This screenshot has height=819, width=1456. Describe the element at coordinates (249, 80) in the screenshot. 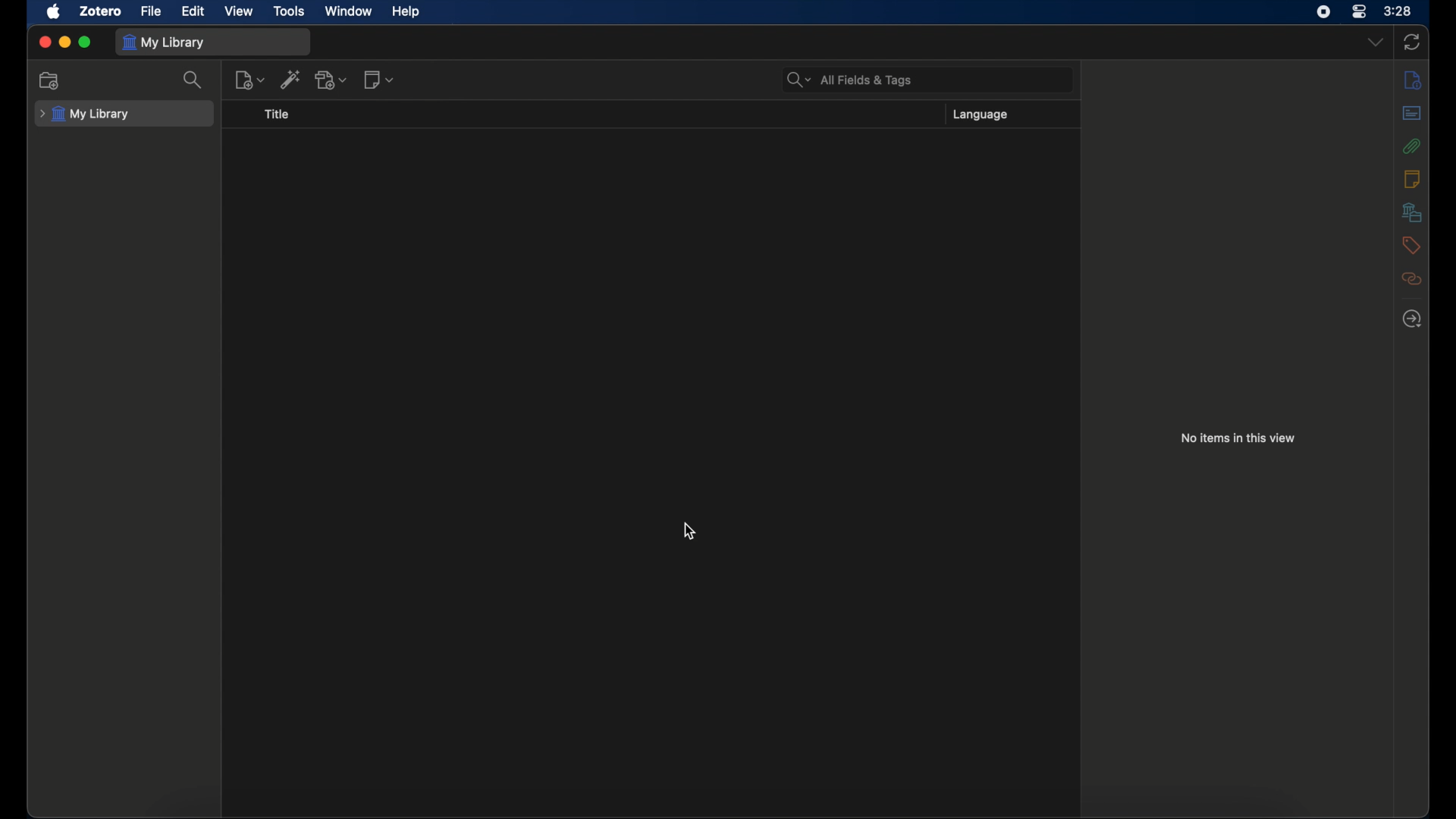

I see `new item` at that location.